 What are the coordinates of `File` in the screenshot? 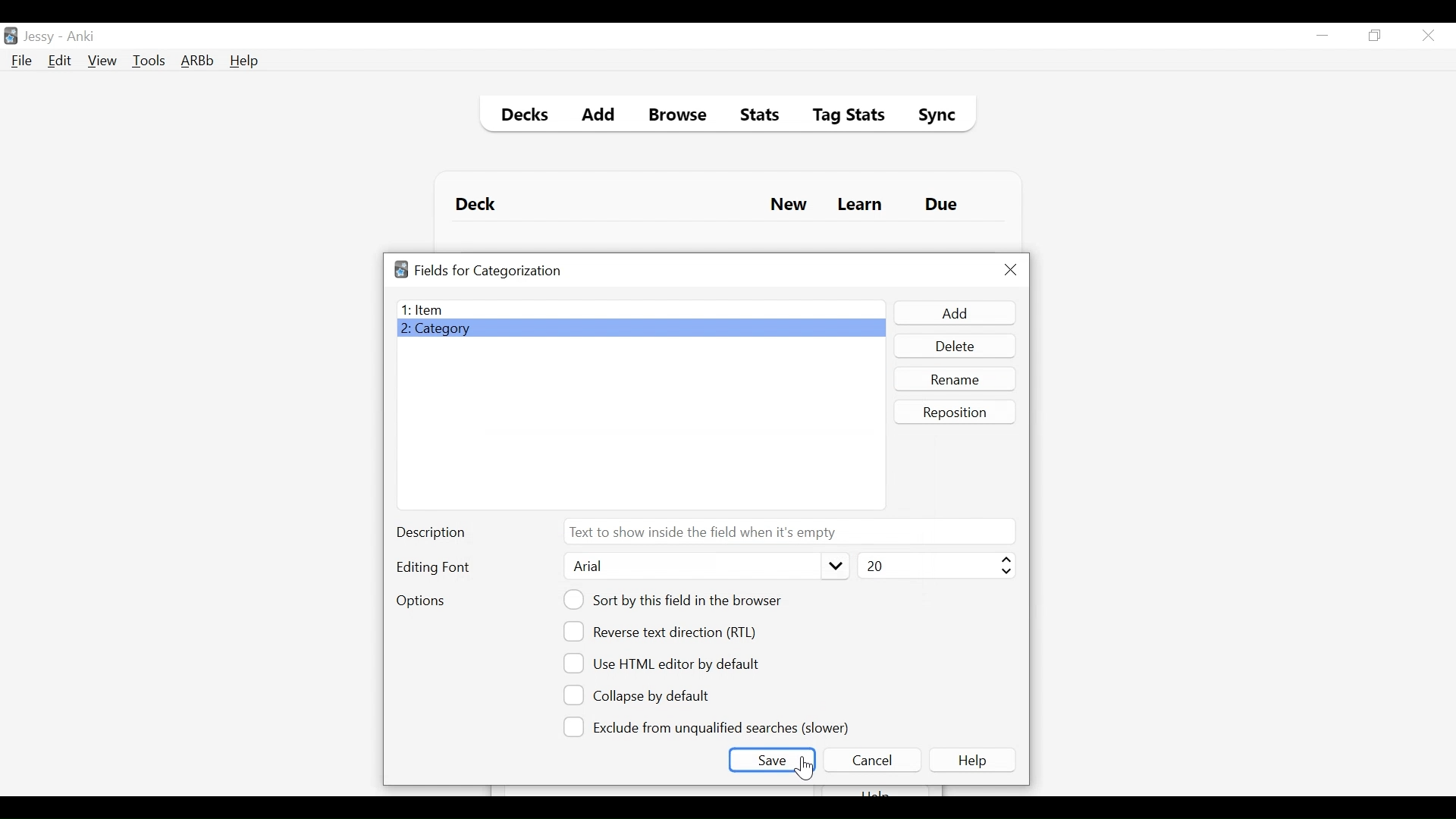 It's located at (22, 62).